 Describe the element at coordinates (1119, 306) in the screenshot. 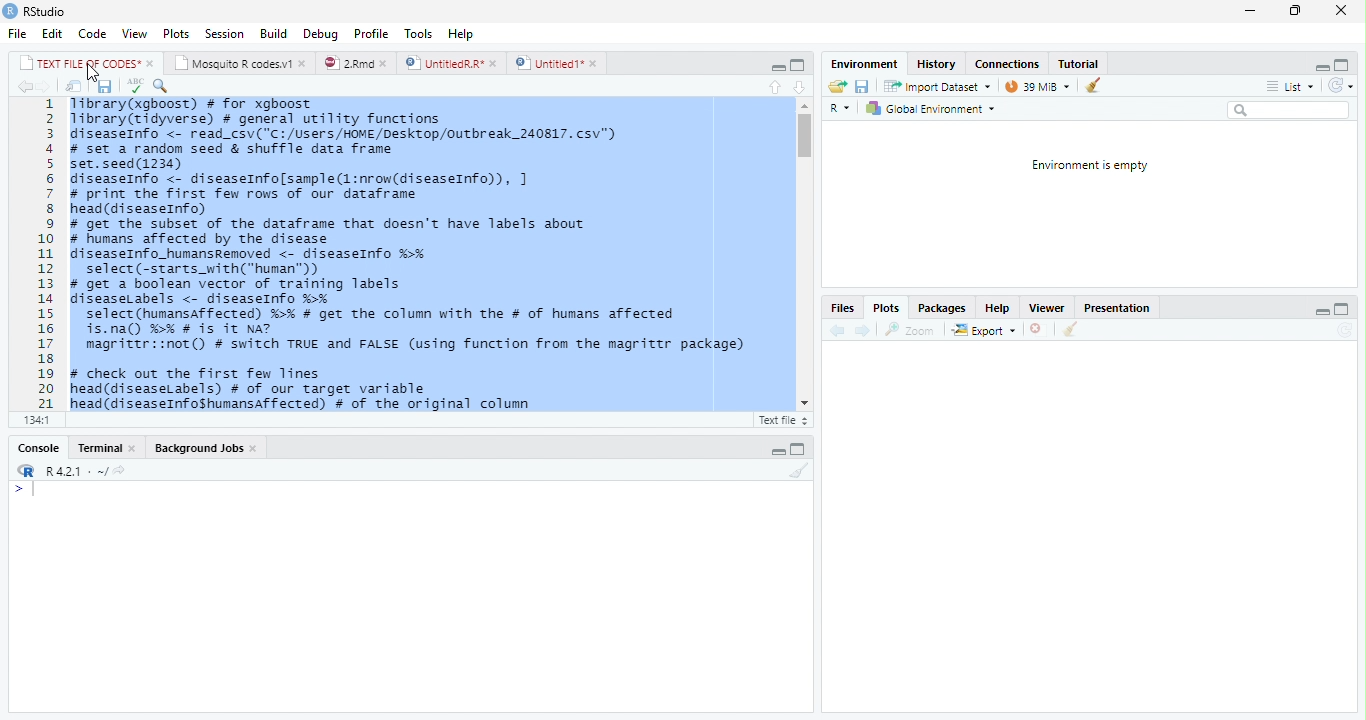

I see `Presentation` at that location.